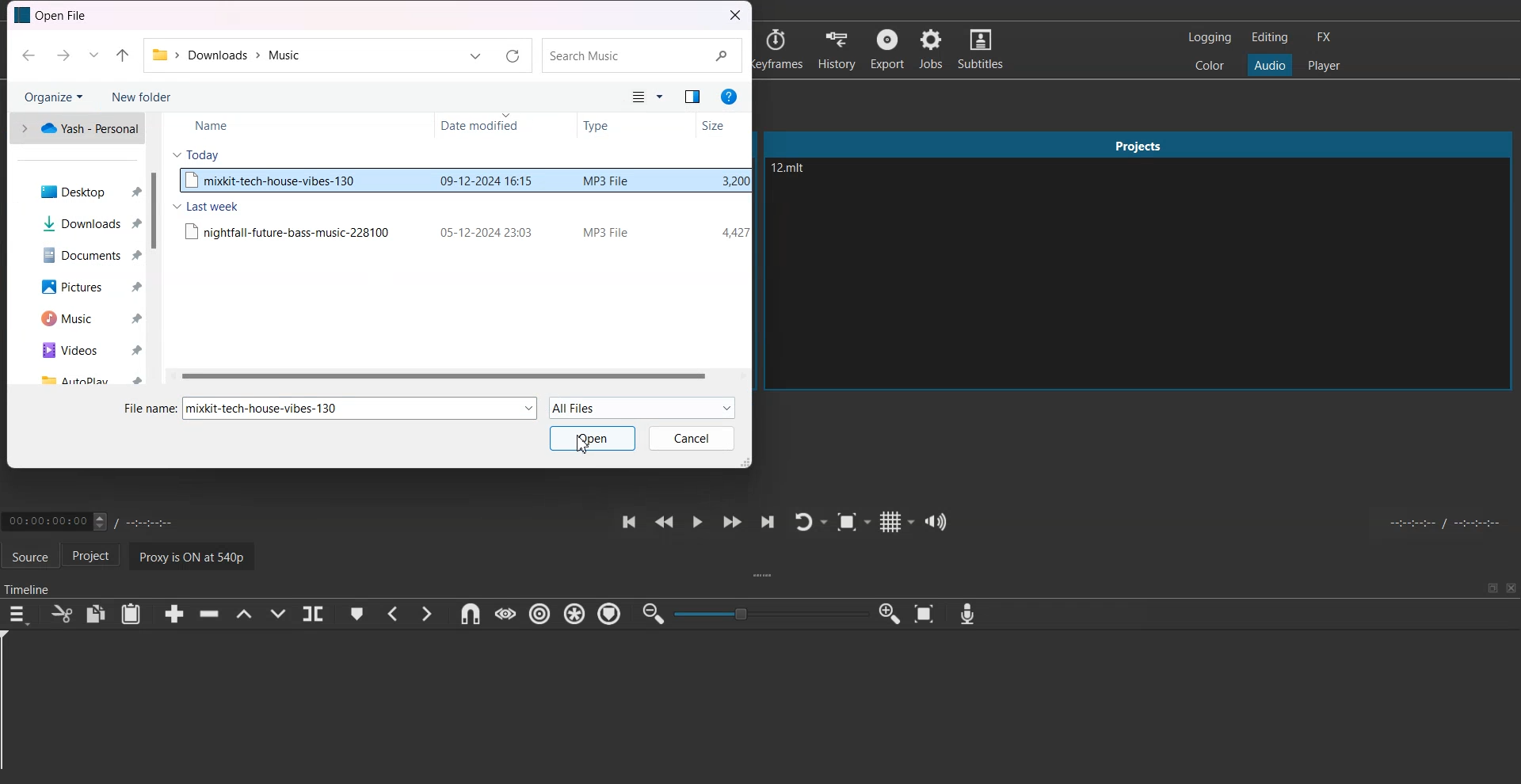 The height and width of the screenshot is (784, 1521). Describe the element at coordinates (505, 614) in the screenshot. I see `Scrub while dragging` at that location.